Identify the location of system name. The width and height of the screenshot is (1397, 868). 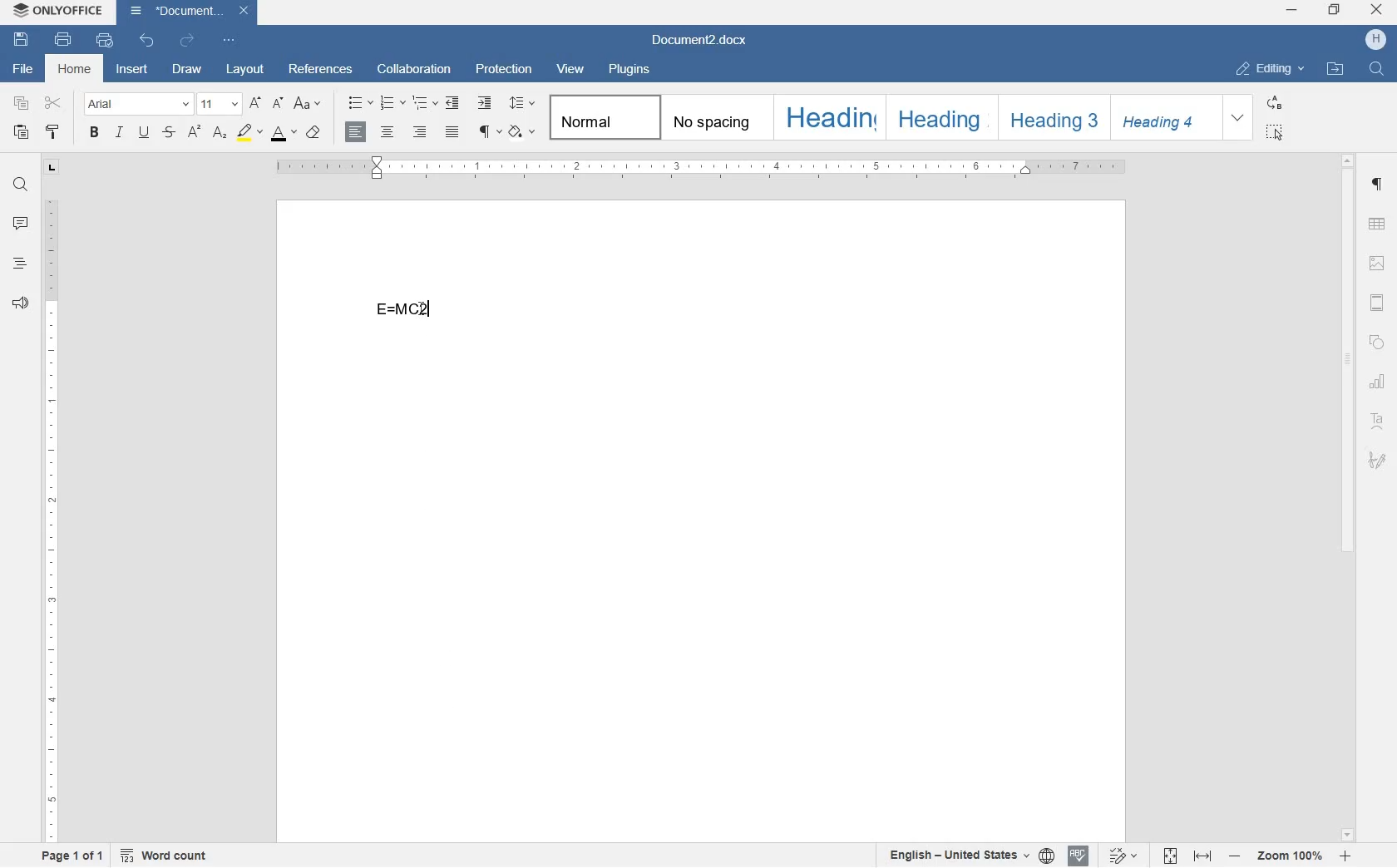
(56, 10).